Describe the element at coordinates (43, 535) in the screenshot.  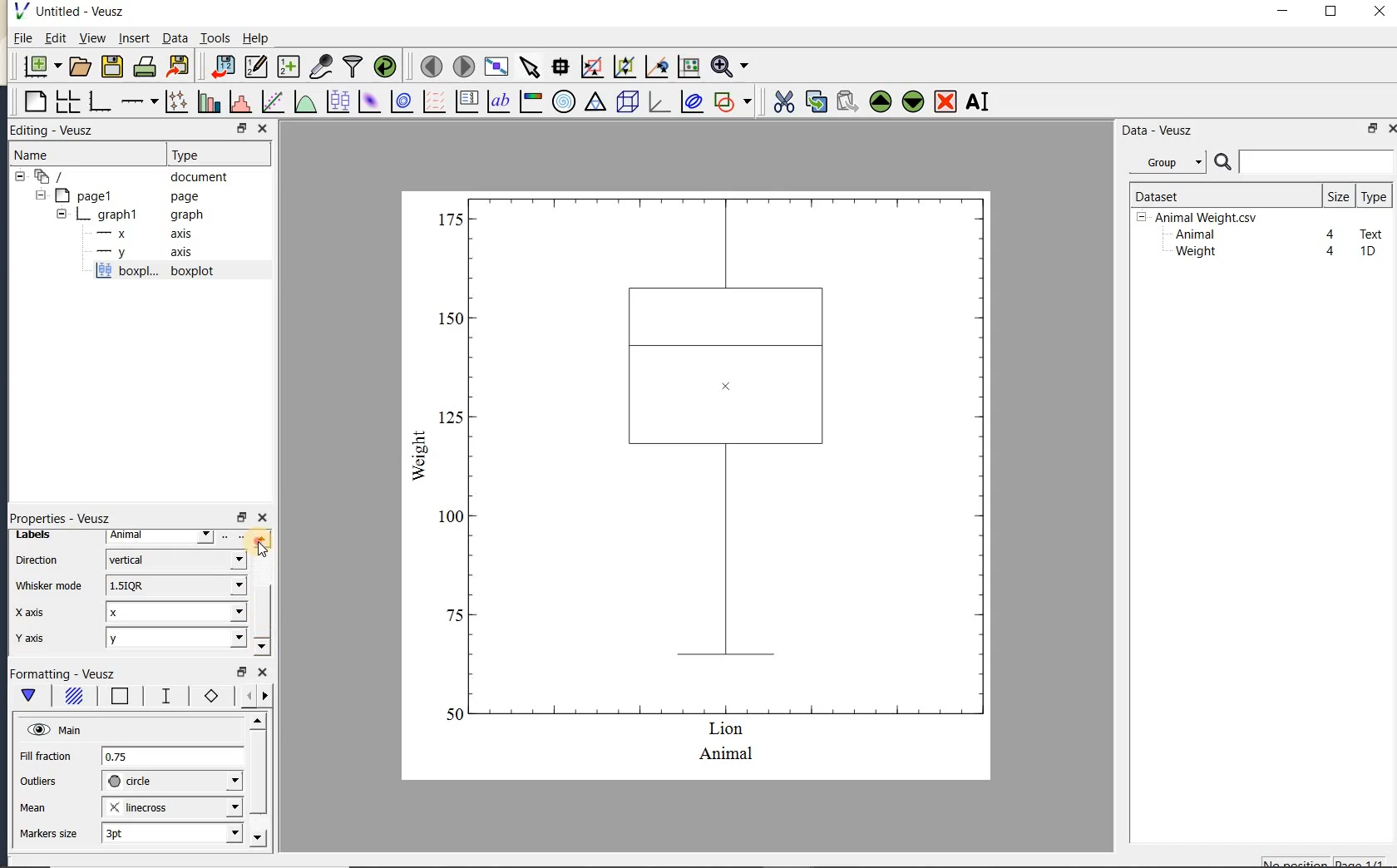
I see `labels` at that location.